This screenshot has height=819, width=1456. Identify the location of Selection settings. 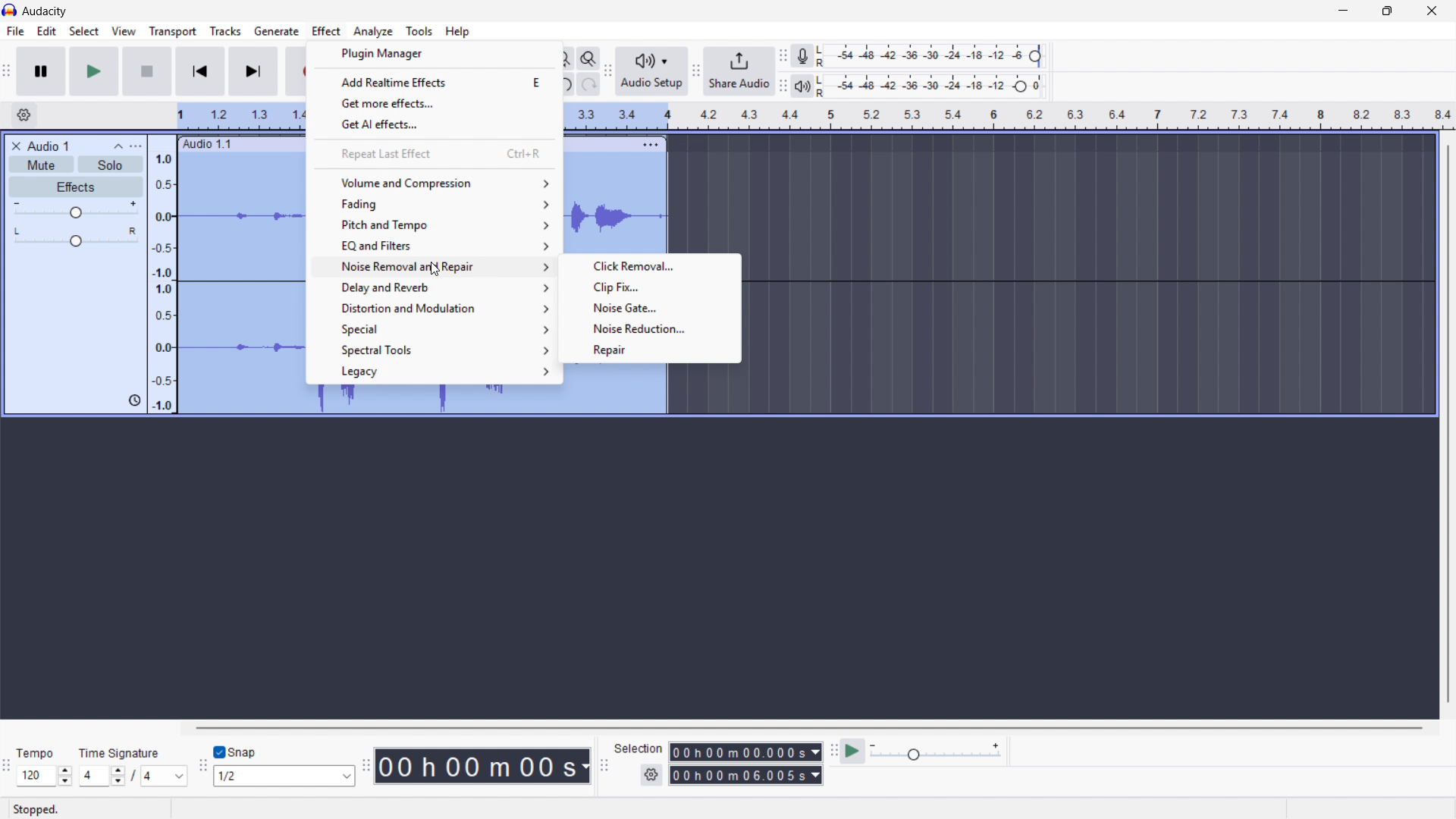
(651, 775).